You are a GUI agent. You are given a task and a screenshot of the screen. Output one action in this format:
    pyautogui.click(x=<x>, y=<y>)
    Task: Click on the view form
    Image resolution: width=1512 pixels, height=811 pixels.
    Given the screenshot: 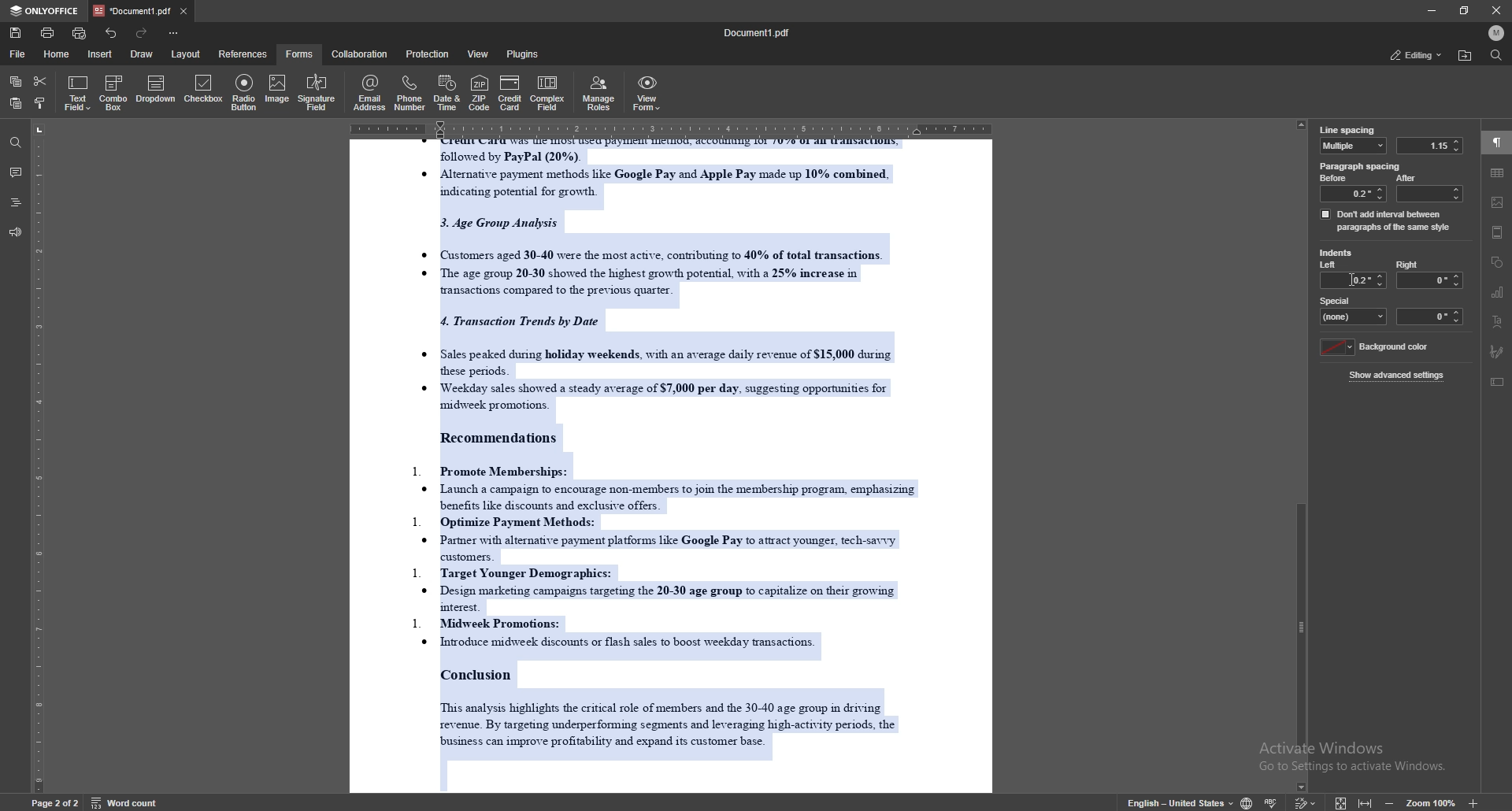 What is the action you would take?
    pyautogui.click(x=647, y=93)
    